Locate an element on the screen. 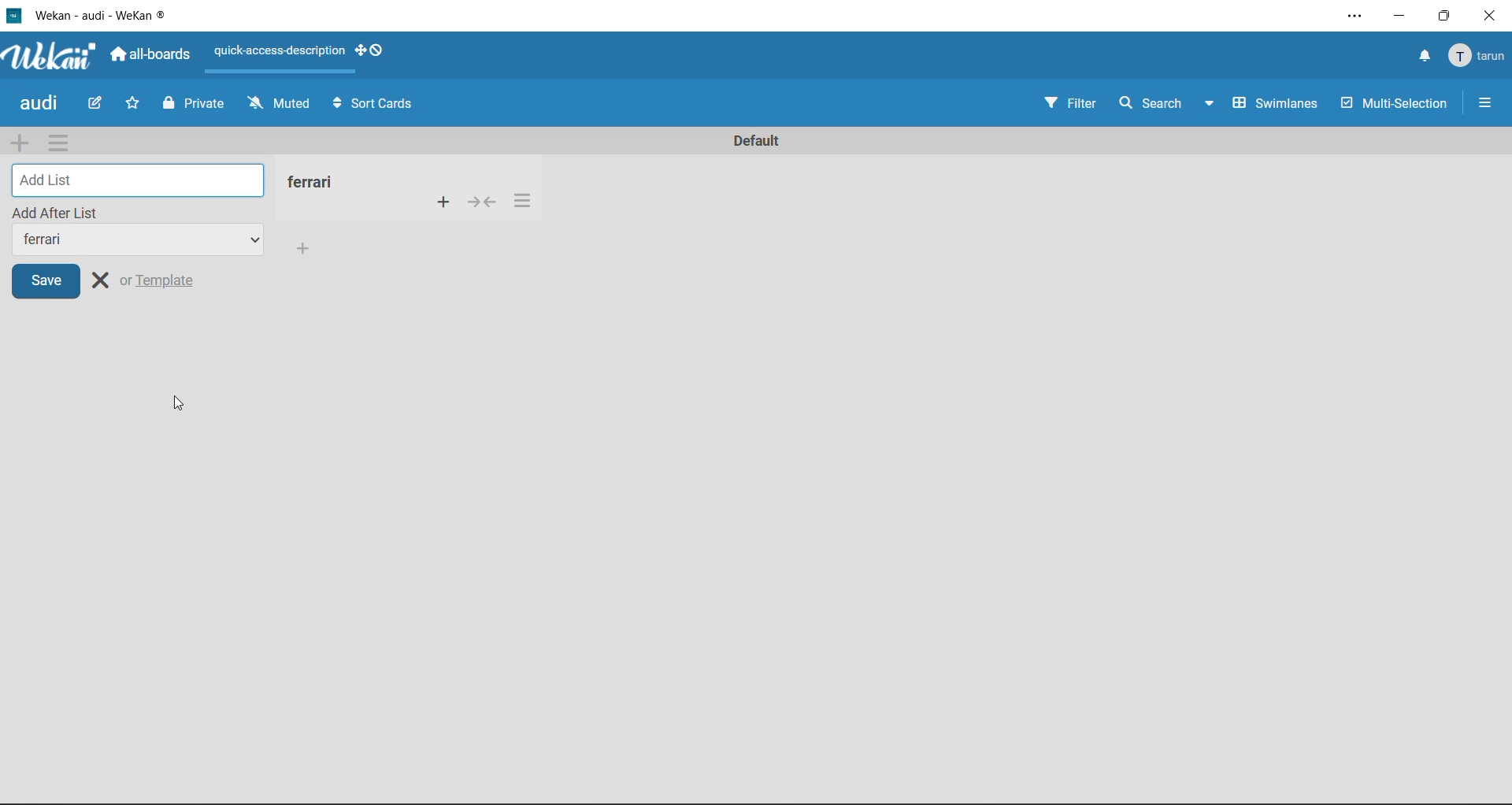 This screenshot has height=805, width=1512. search is located at coordinates (1149, 102).